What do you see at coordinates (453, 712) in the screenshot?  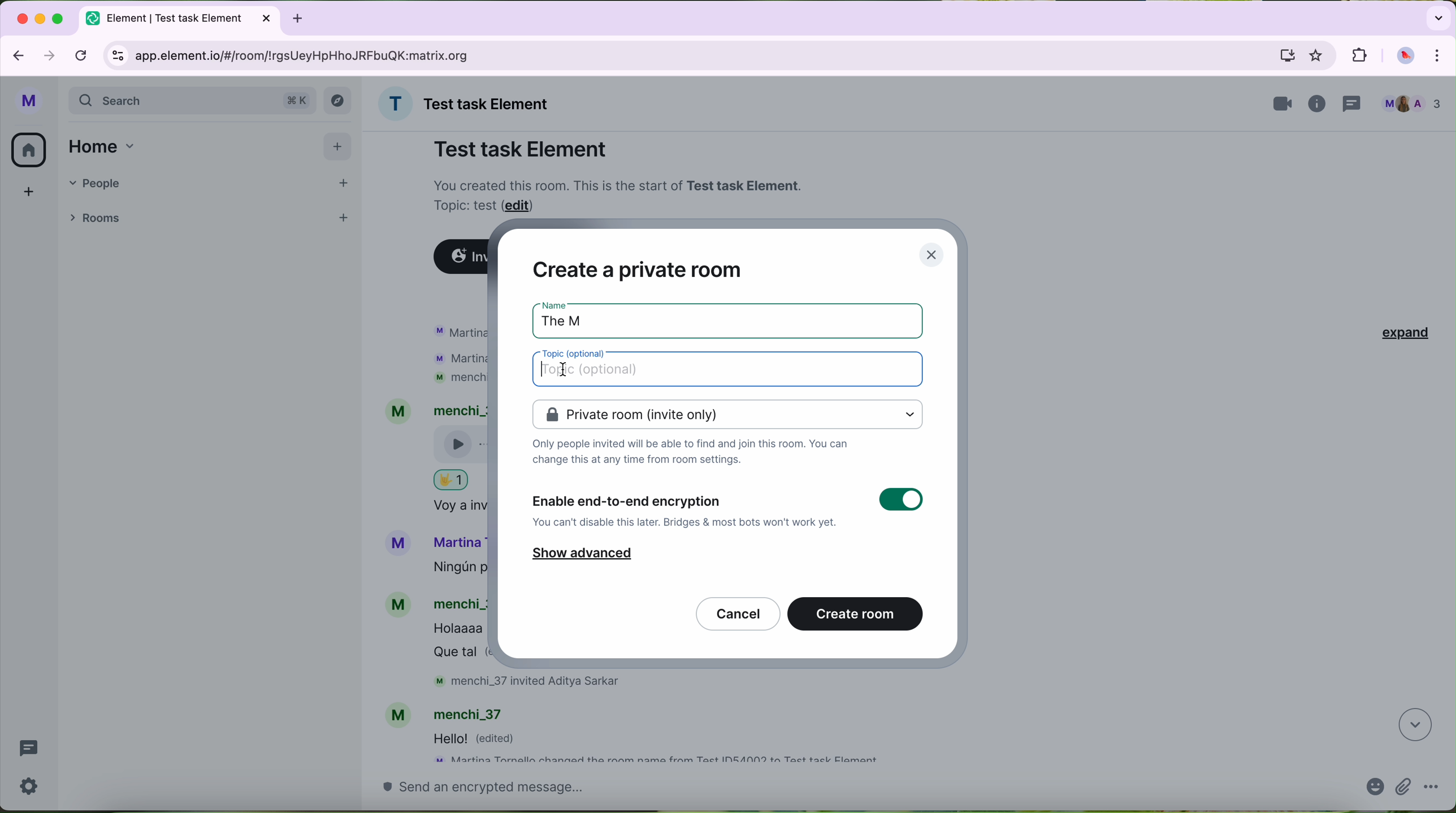 I see `account` at bounding box center [453, 712].